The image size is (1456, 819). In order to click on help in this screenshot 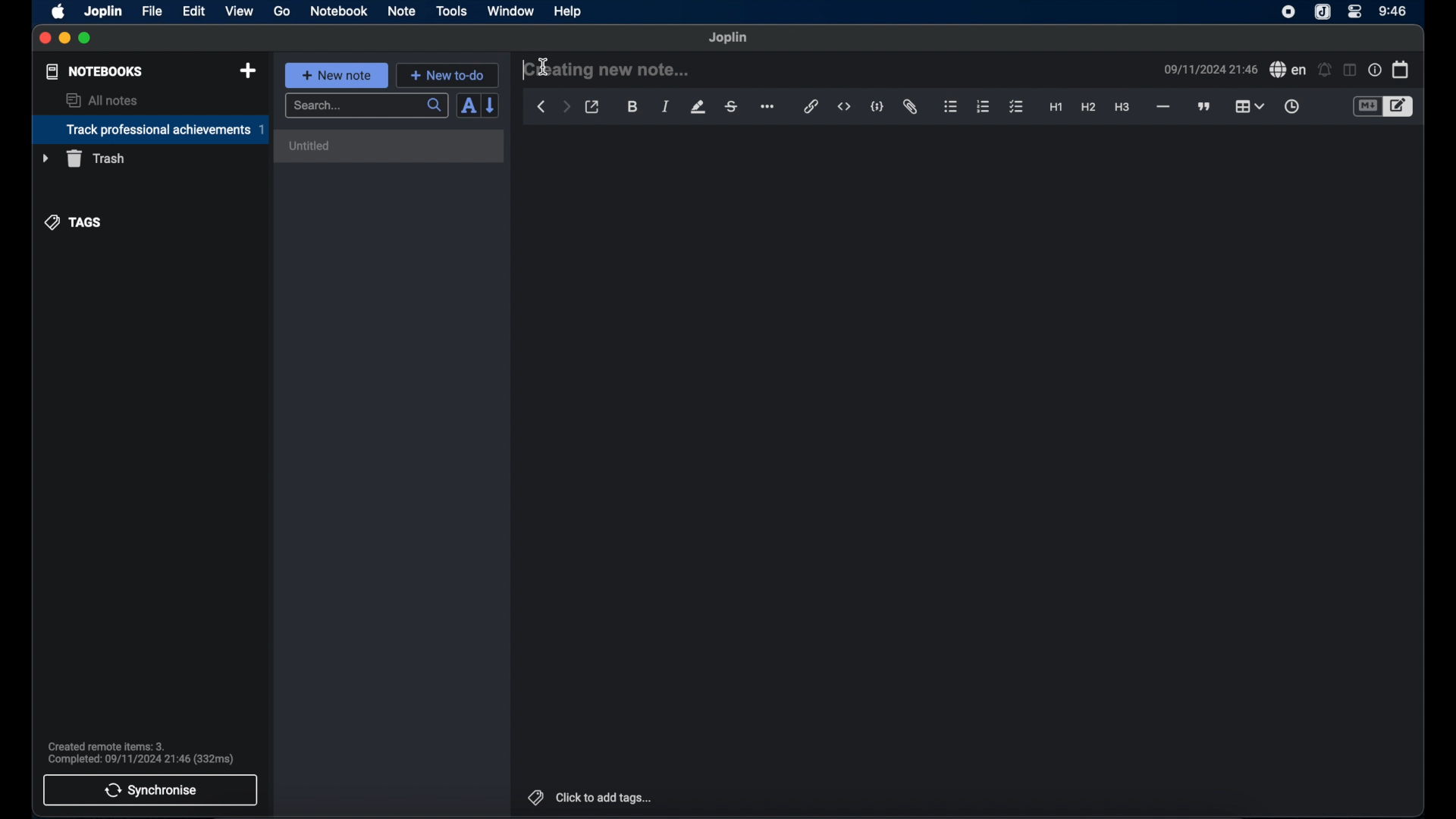, I will do `click(566, 12)`.